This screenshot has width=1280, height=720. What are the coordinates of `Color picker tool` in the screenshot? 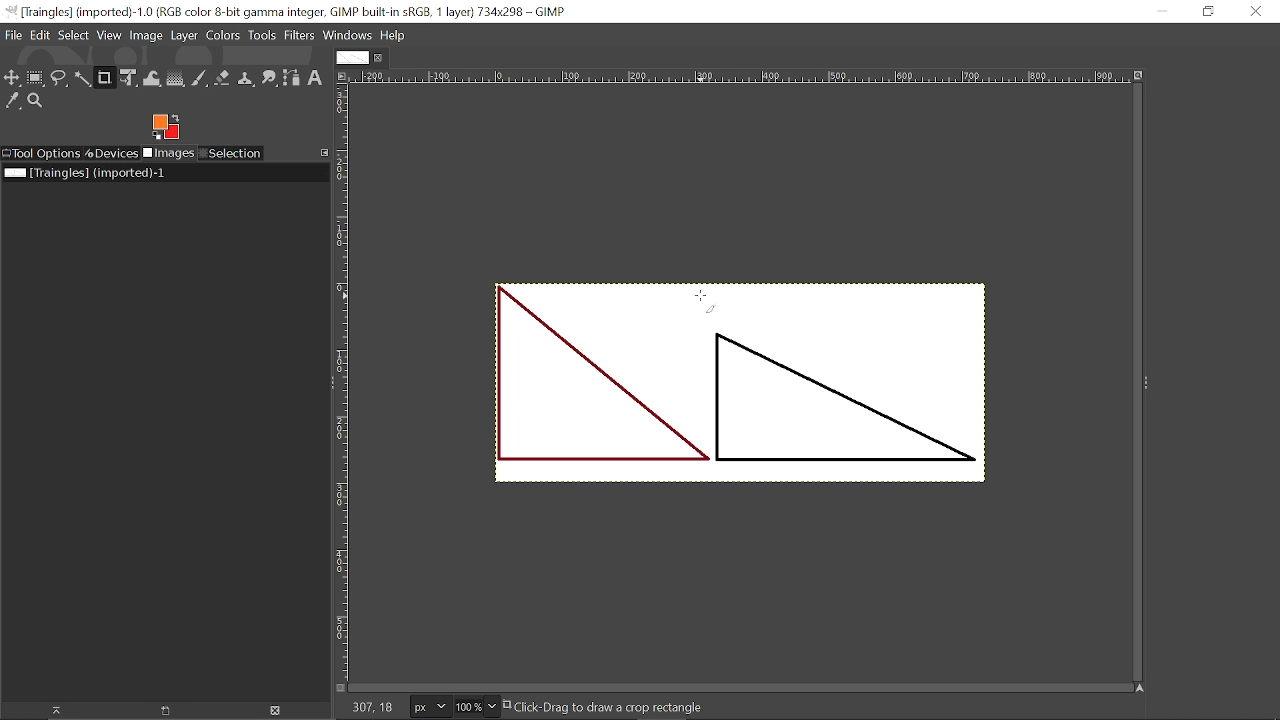 It's located at (13, 101).